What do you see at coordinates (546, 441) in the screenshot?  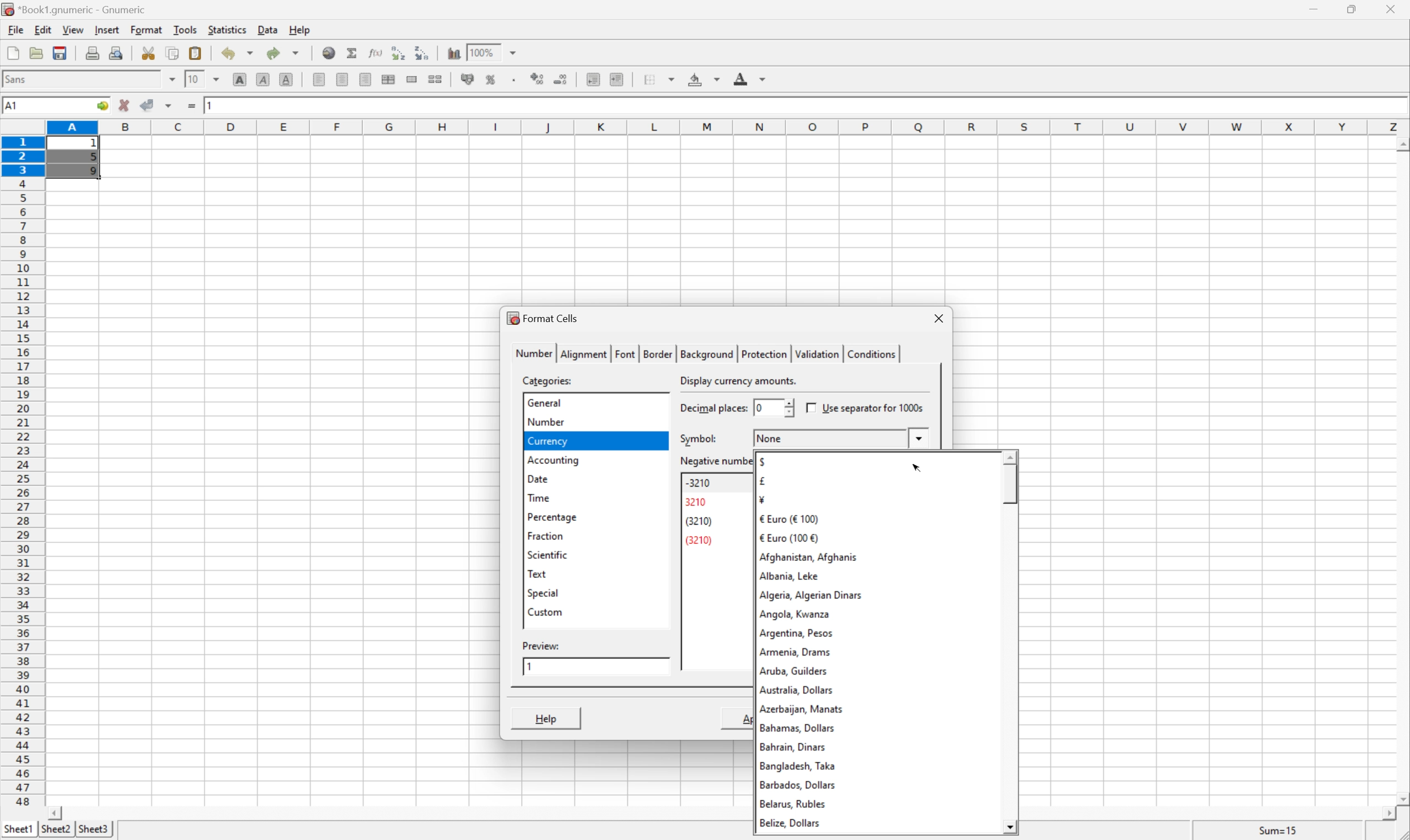 I see `currency` at bounding box center [546, 441].